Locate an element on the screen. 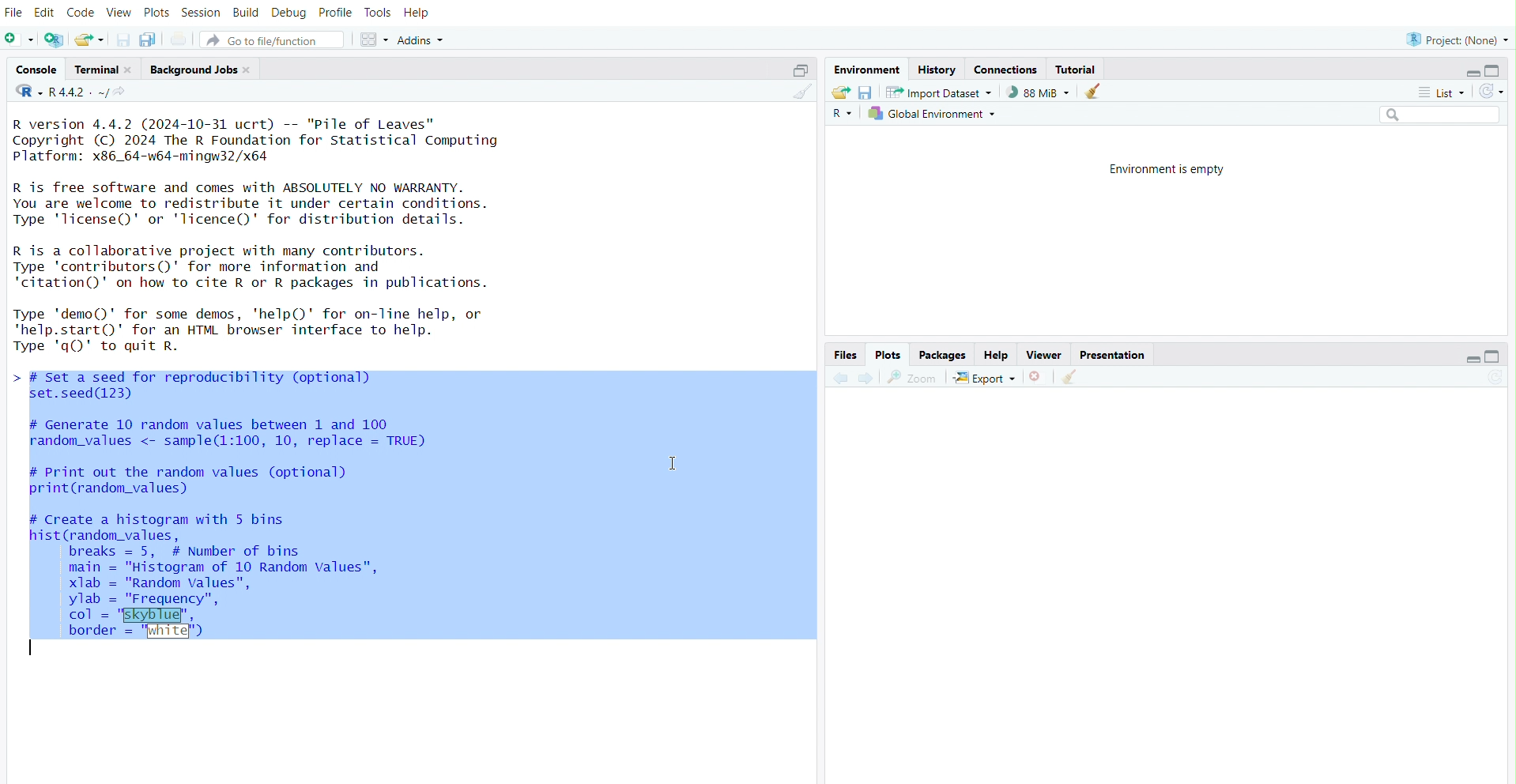  debug is located at coordinates (290, 10).